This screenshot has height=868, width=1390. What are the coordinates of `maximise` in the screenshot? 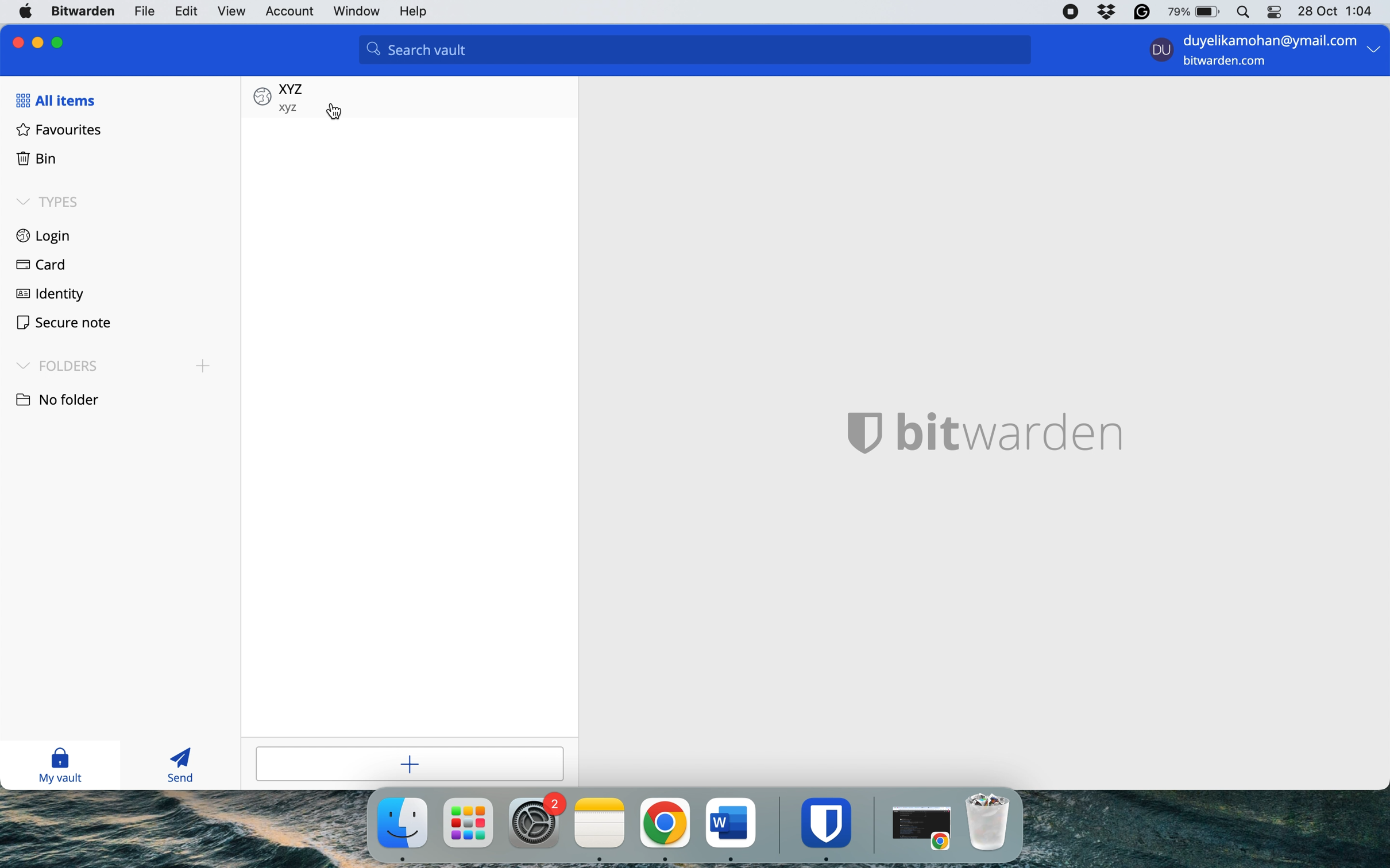 It's located at (61, 40).